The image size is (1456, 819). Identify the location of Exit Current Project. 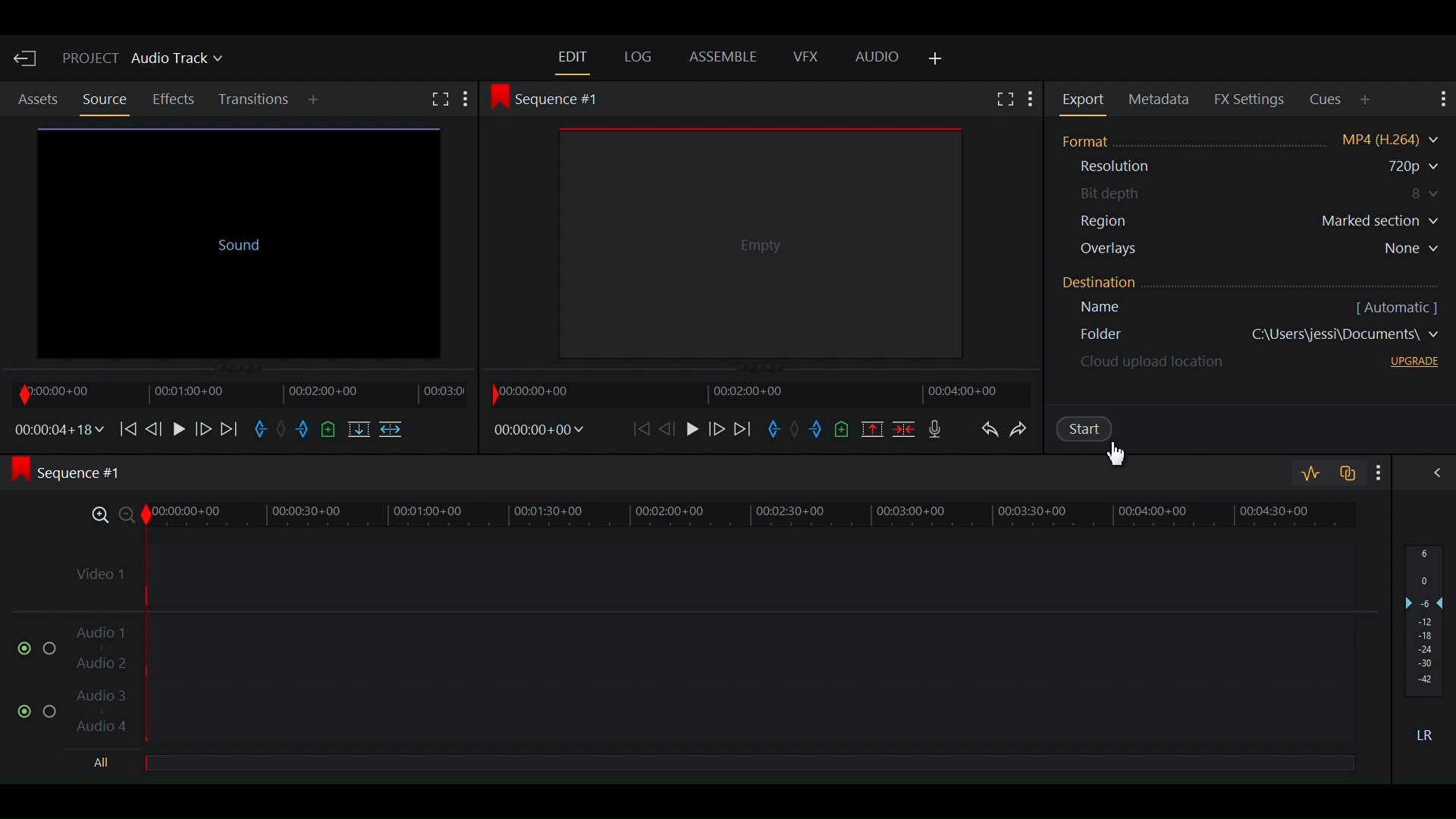
(27, 58).